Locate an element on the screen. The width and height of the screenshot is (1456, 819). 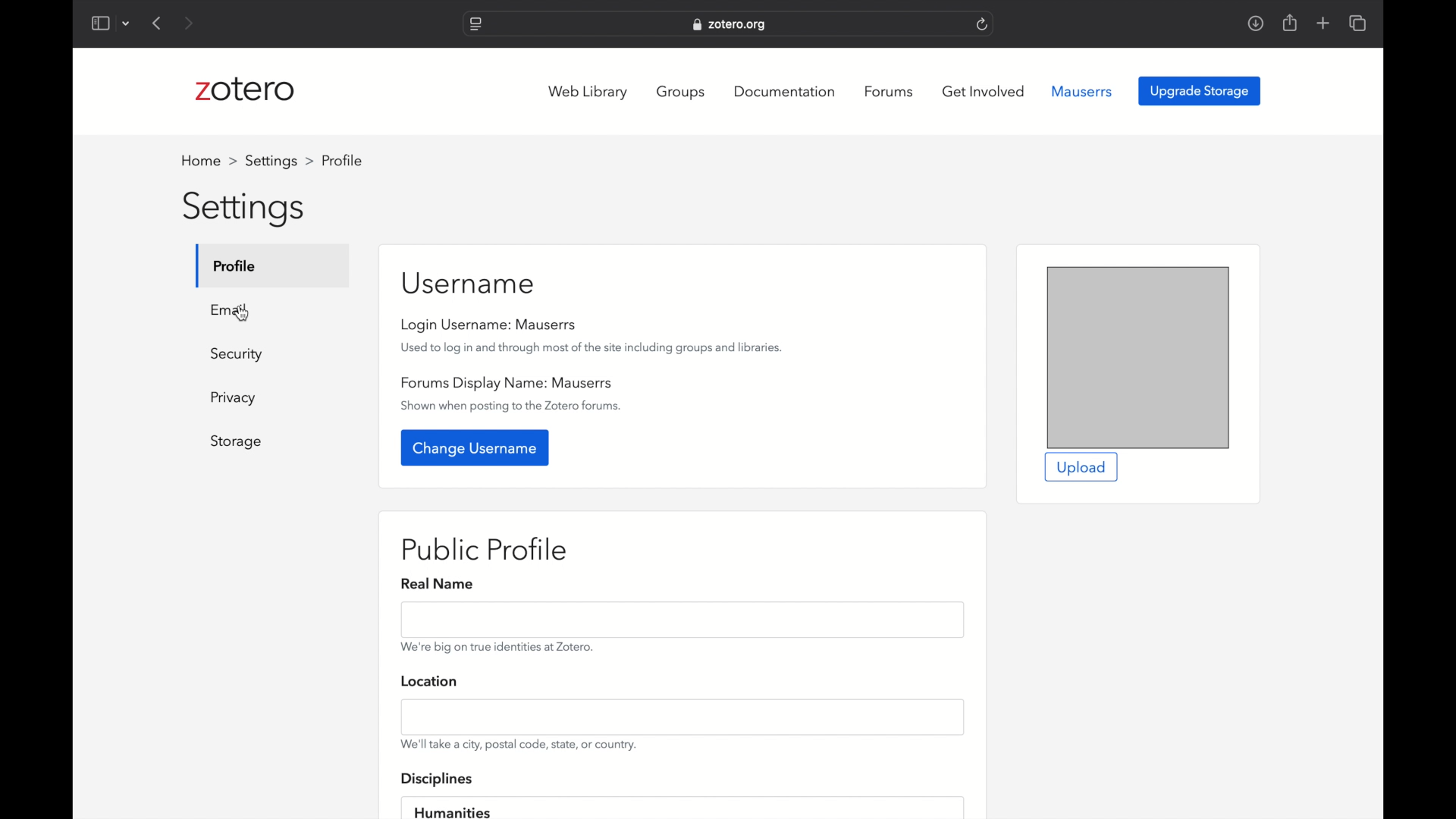
new tab is located at coordinates (1323, 23).